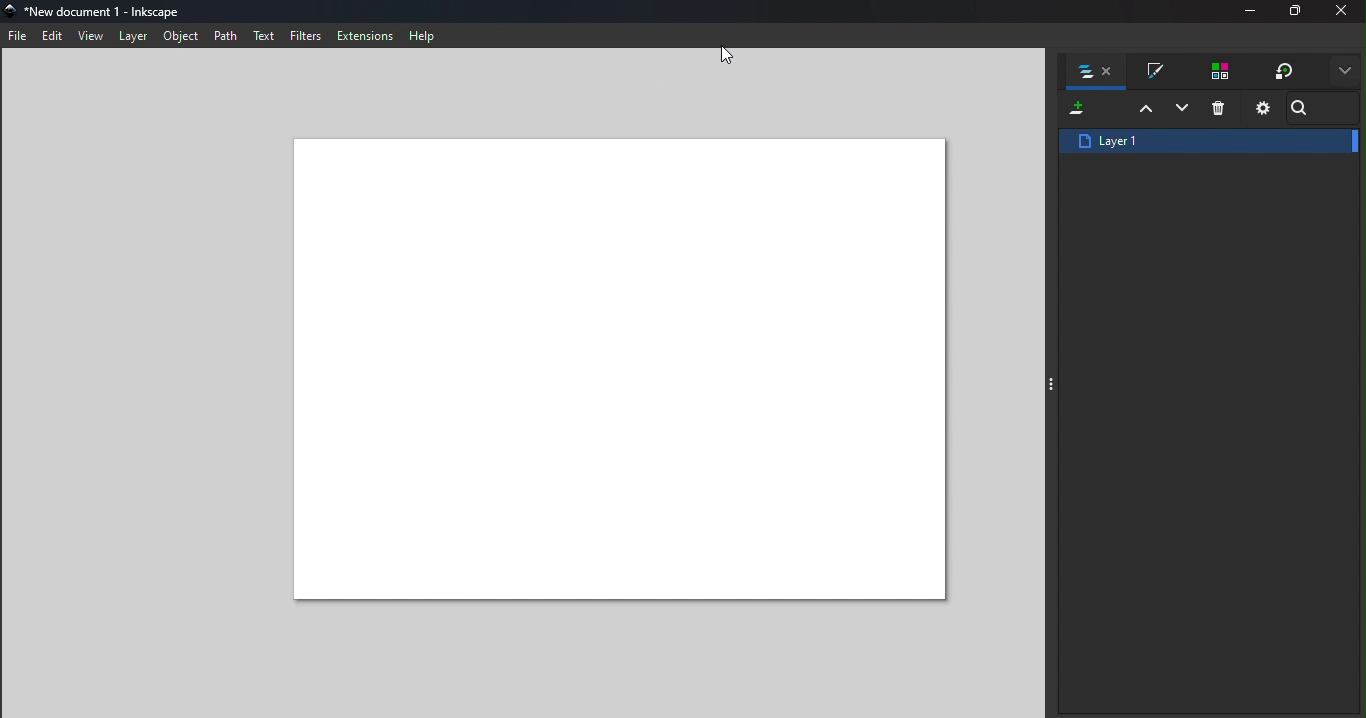  What do you see at coordinates (47, 37) in the screenshot?
I see `Edit` at bounding box center [47, 37].